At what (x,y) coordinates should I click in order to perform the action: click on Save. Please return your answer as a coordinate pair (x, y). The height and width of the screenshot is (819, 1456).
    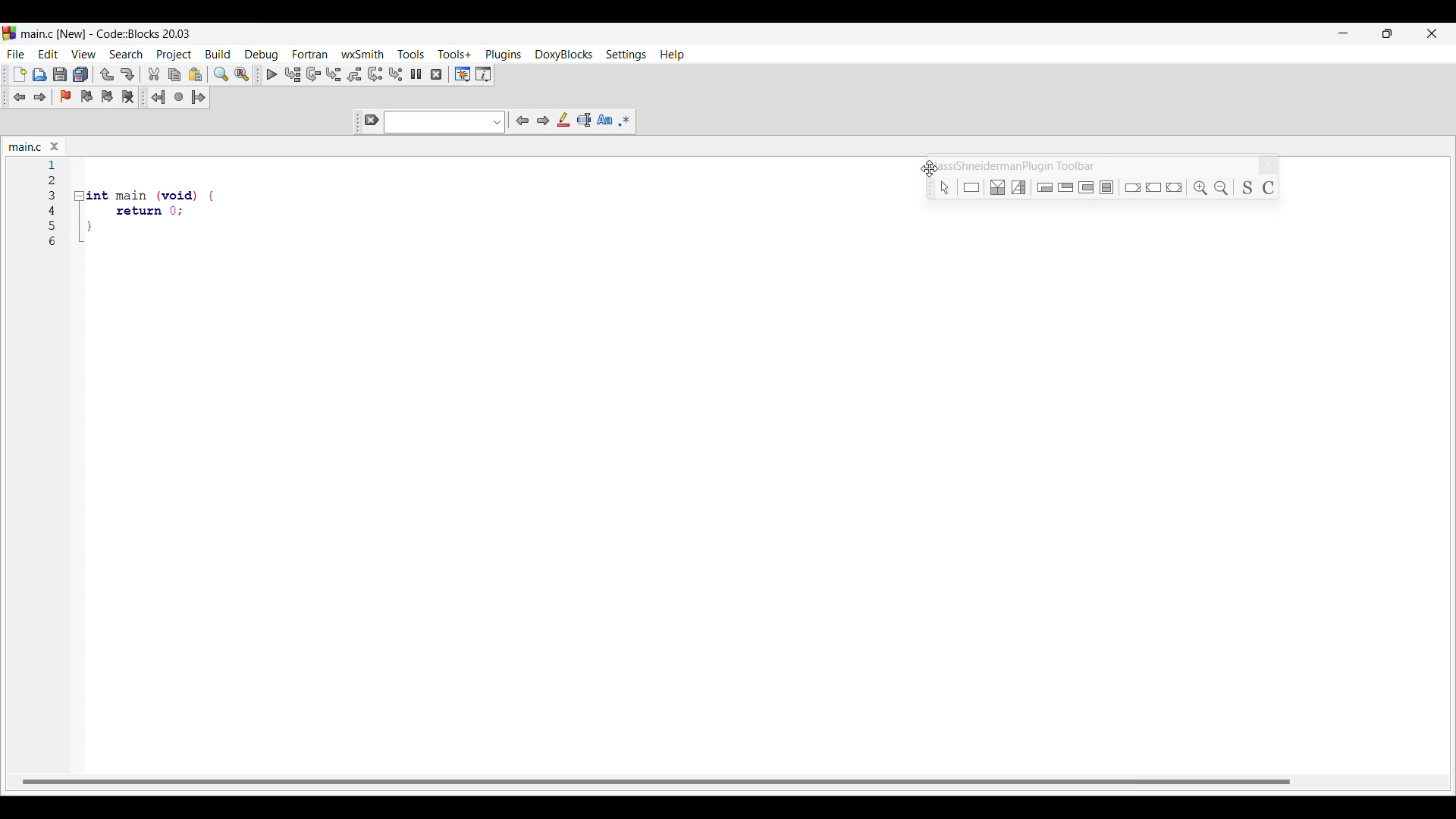
    Looking at the image, I should click on (61, 74).